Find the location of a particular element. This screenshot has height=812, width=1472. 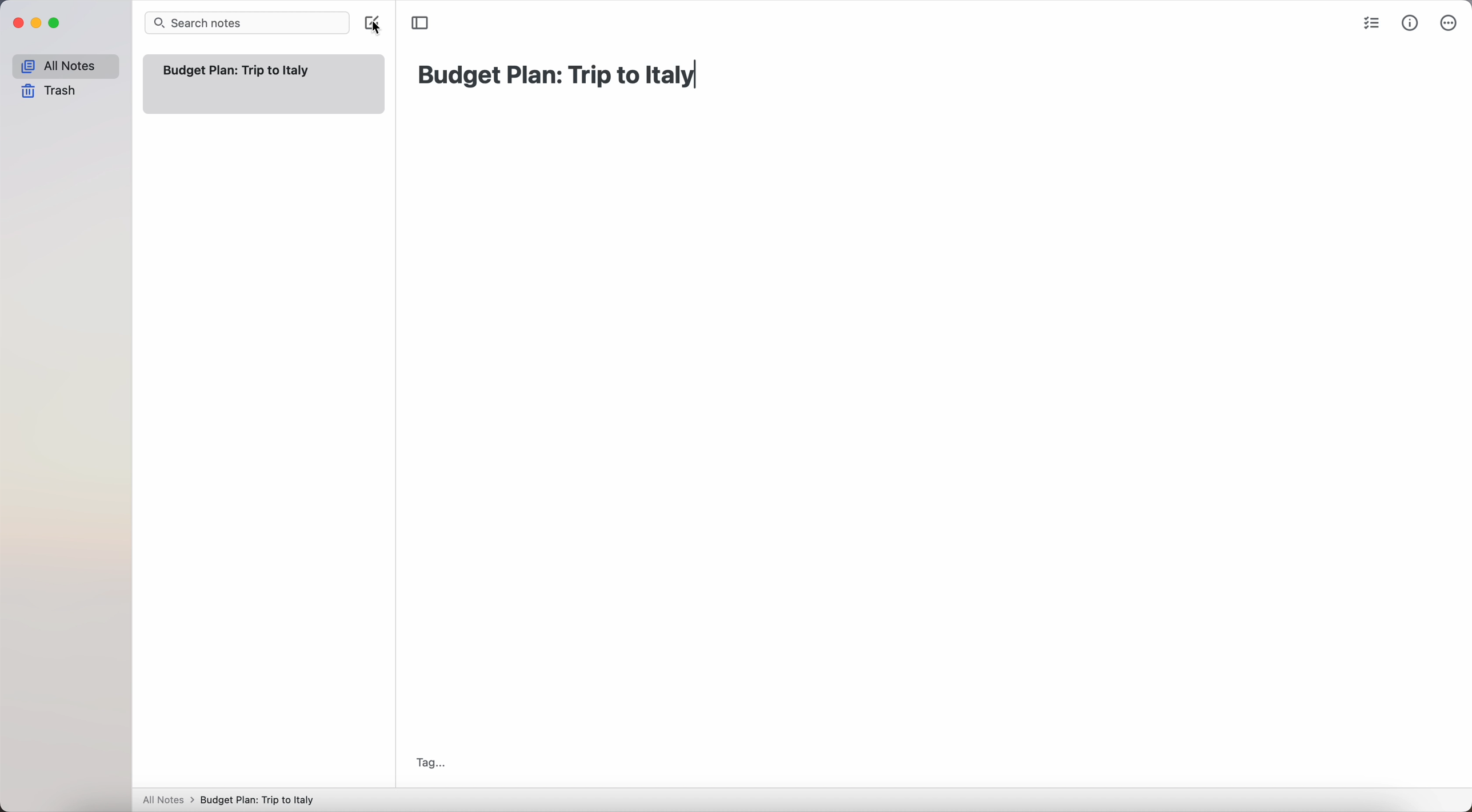

create note is located at coordinates (370, 21).